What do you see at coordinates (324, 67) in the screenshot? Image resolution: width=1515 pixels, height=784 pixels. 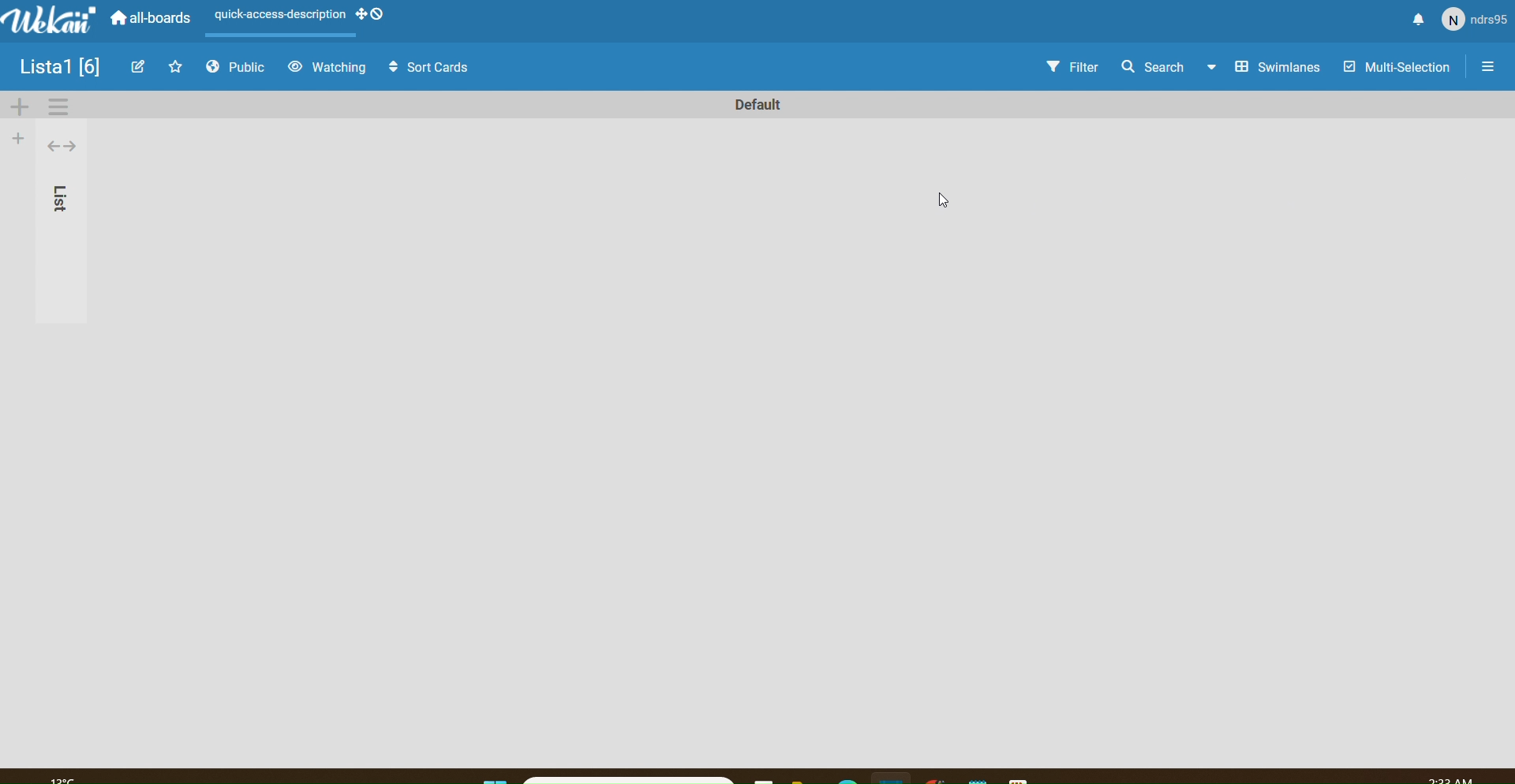 I see `Watching` at bounding box center [324, 67].